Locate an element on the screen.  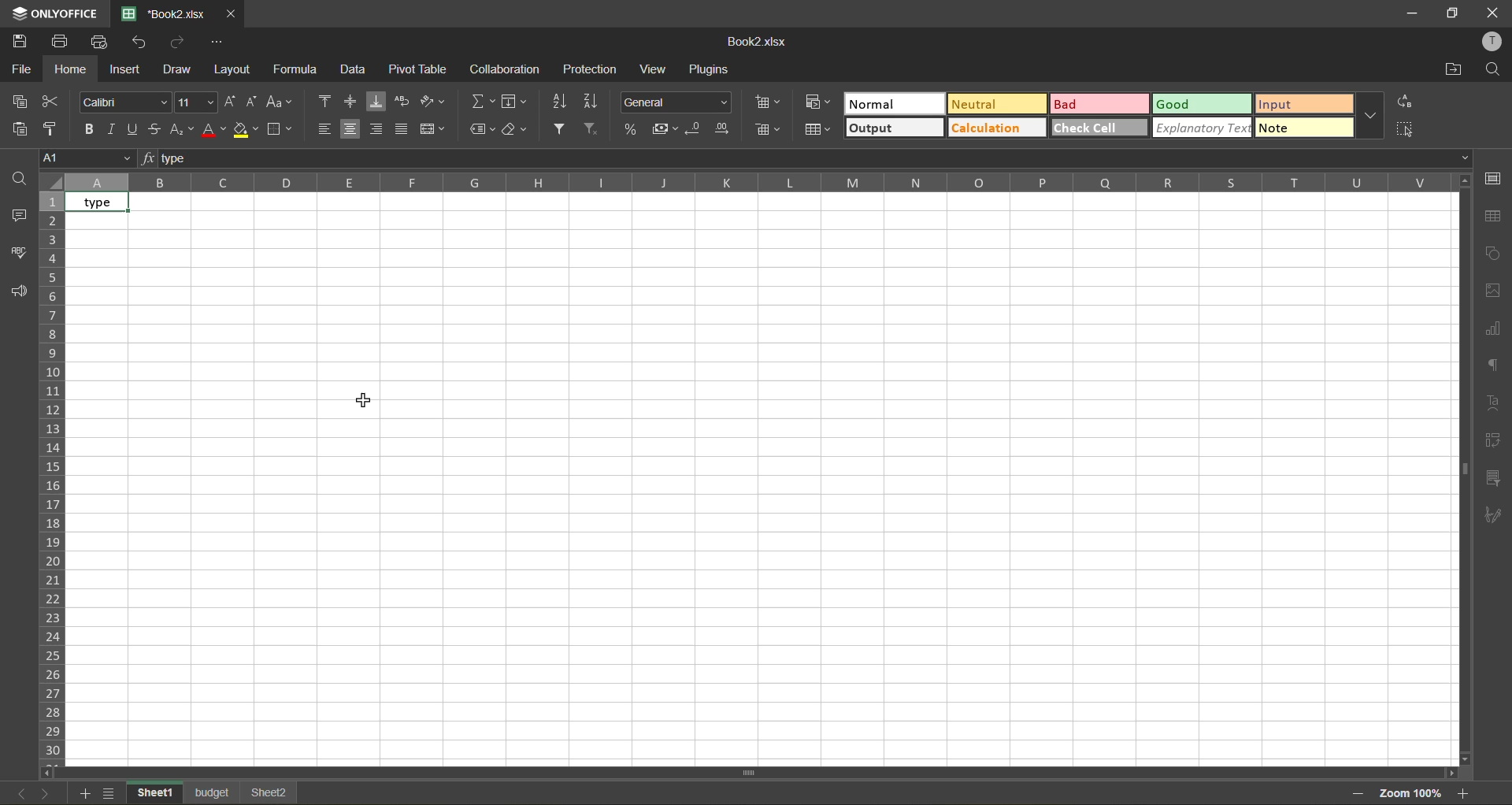
pivot table is located at coordinates (1495, 444).